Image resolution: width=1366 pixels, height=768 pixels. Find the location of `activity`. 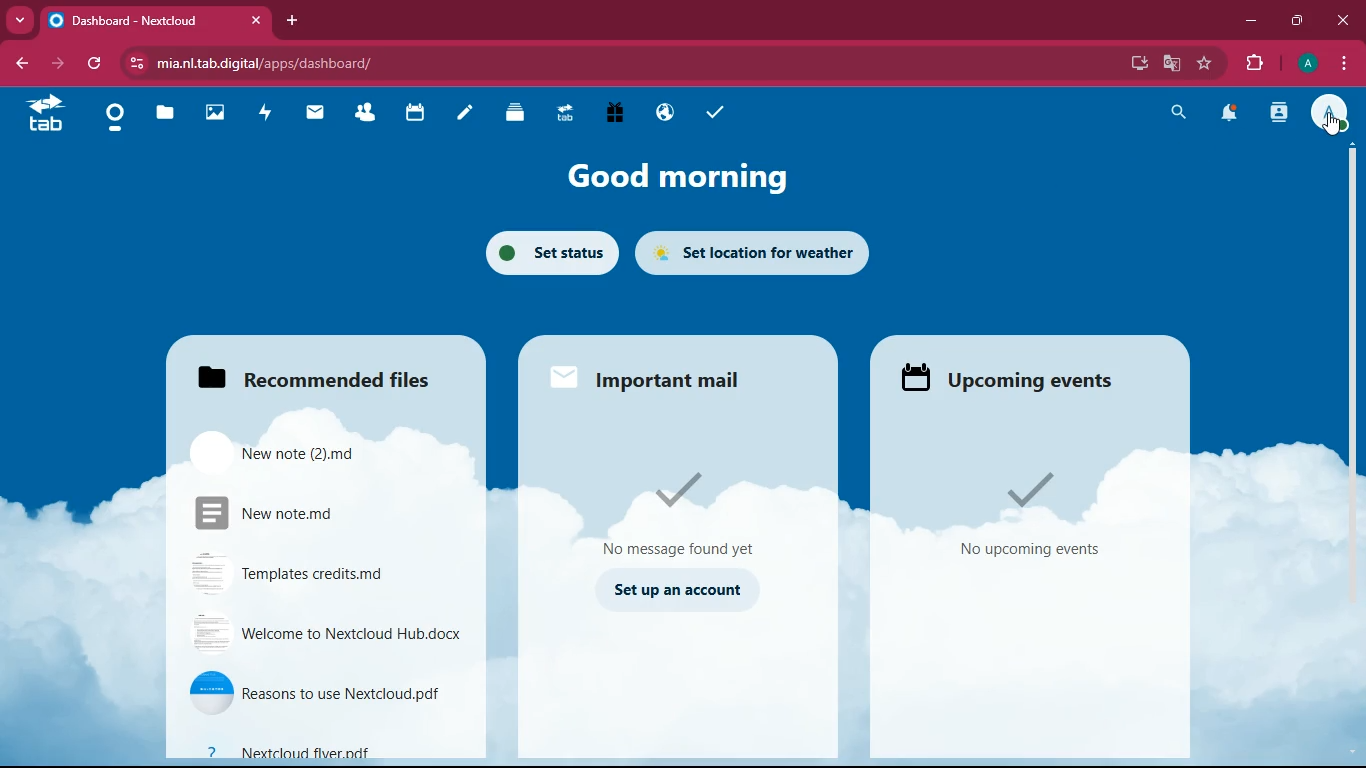

activity is located at coordinates (264, 112).